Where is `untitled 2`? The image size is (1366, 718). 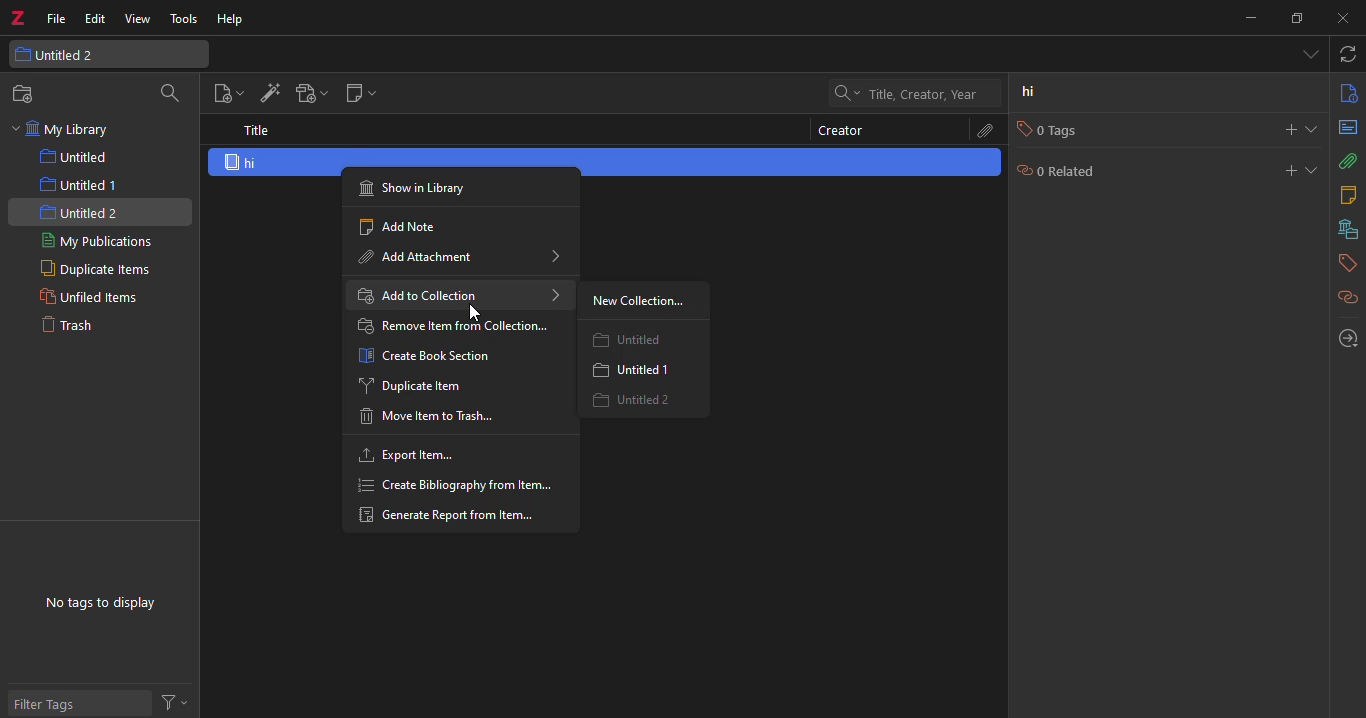
untitled 2 is located at coordinates (640, 401).